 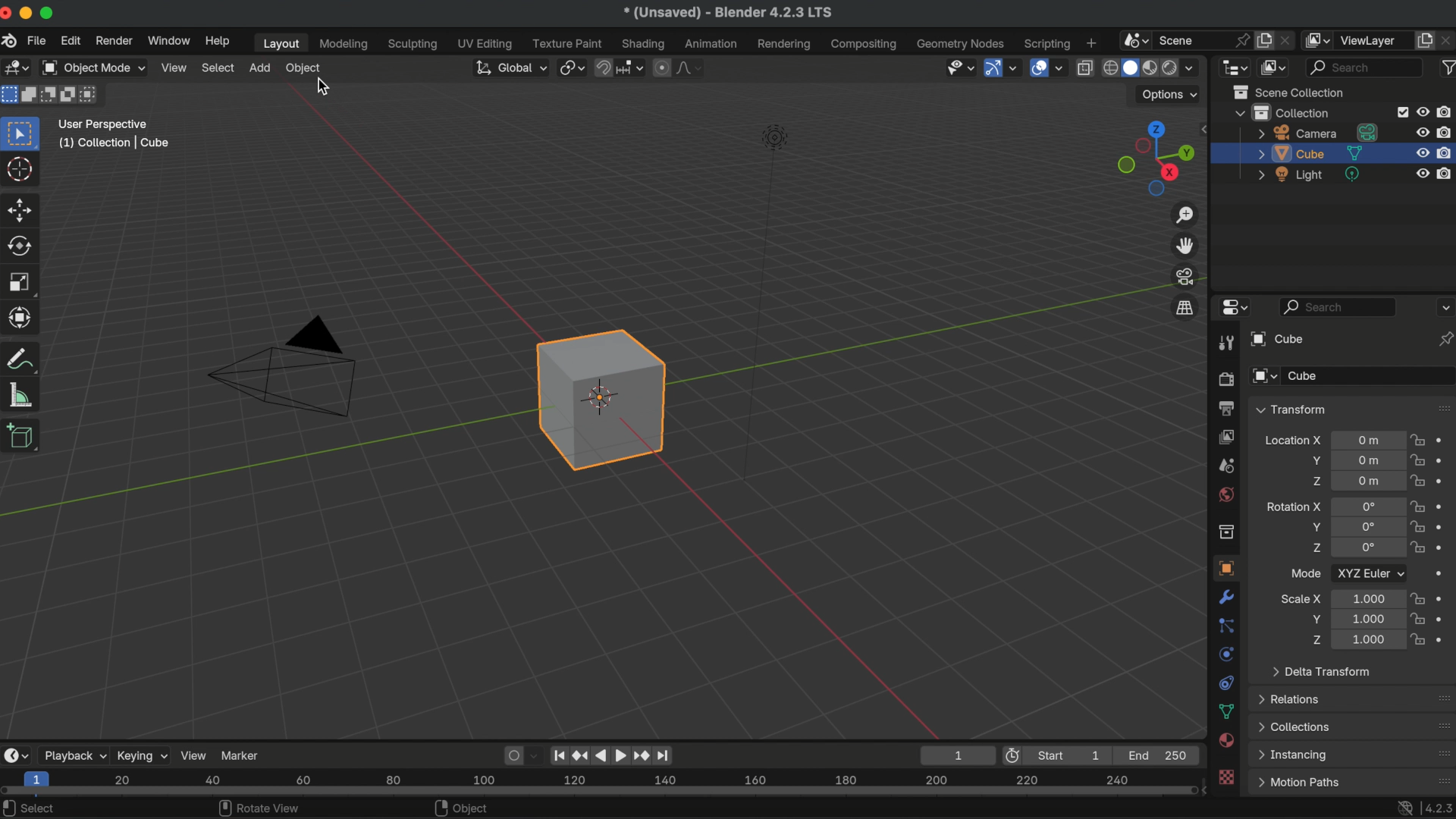 I want to click on browse object to be linked, so click(x=1265, y=377).